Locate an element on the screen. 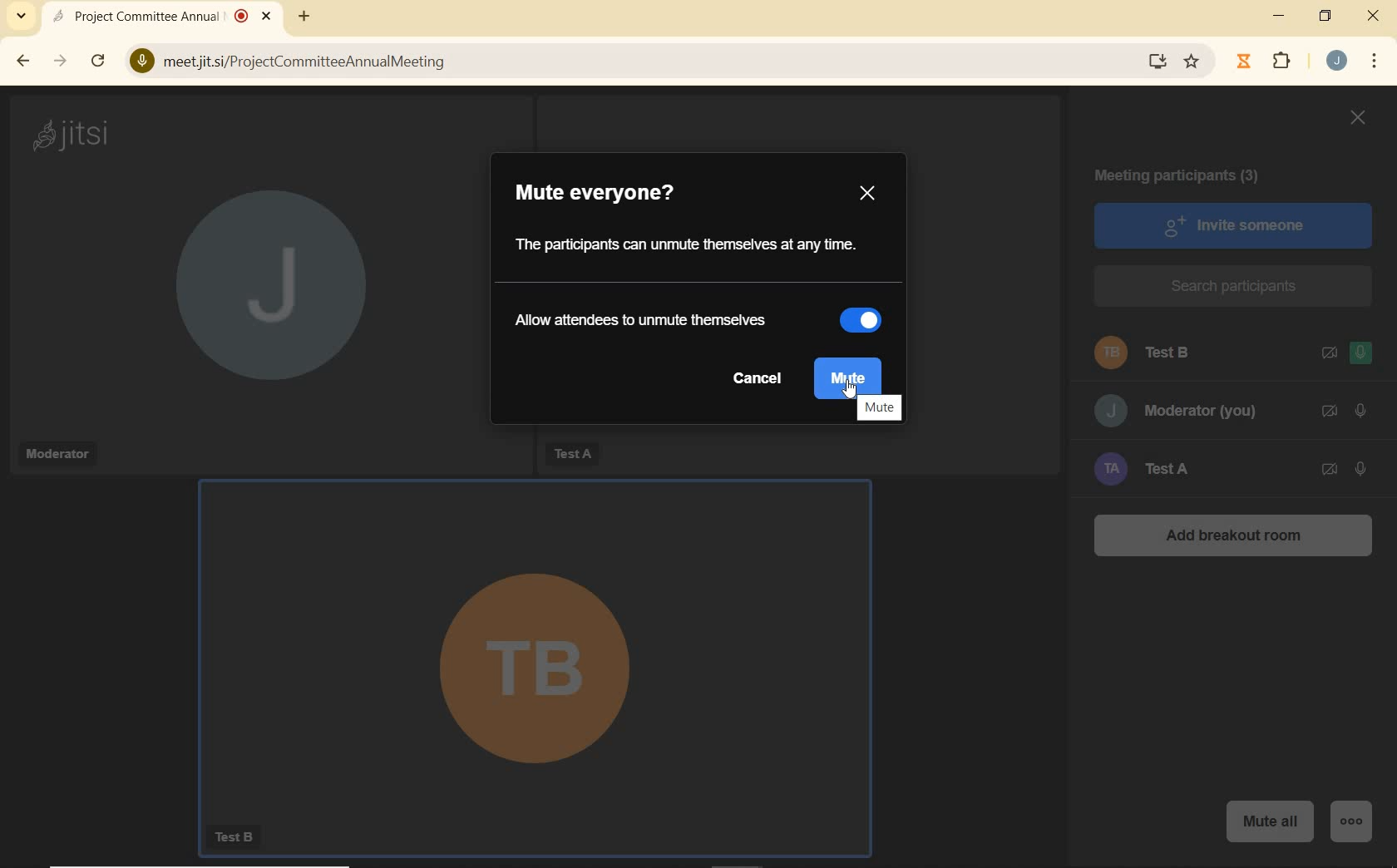  INVITE SOMEONE is located at coordinates (1233, 224).